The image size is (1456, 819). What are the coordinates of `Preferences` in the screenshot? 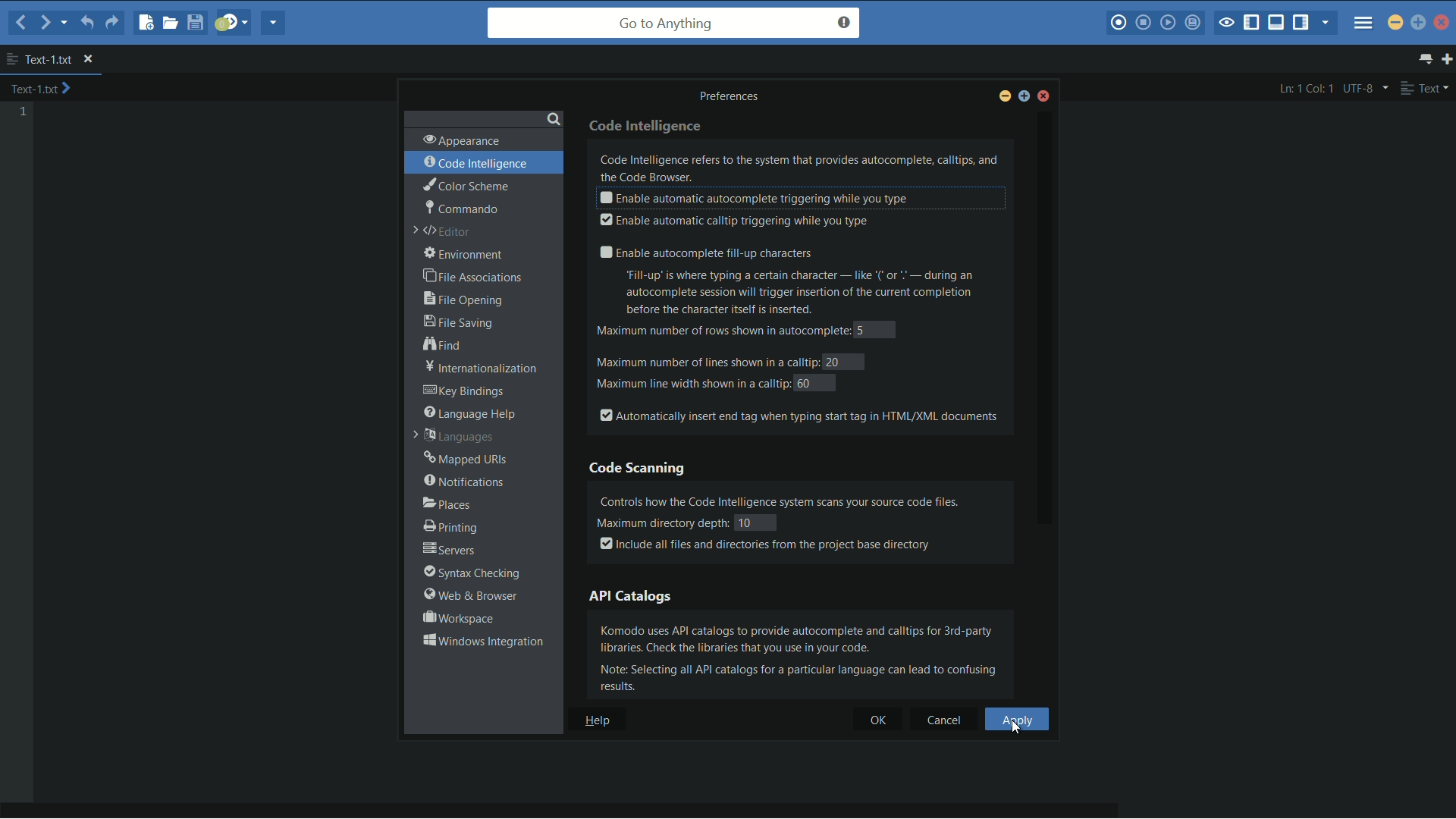 It's located at (735, 96).